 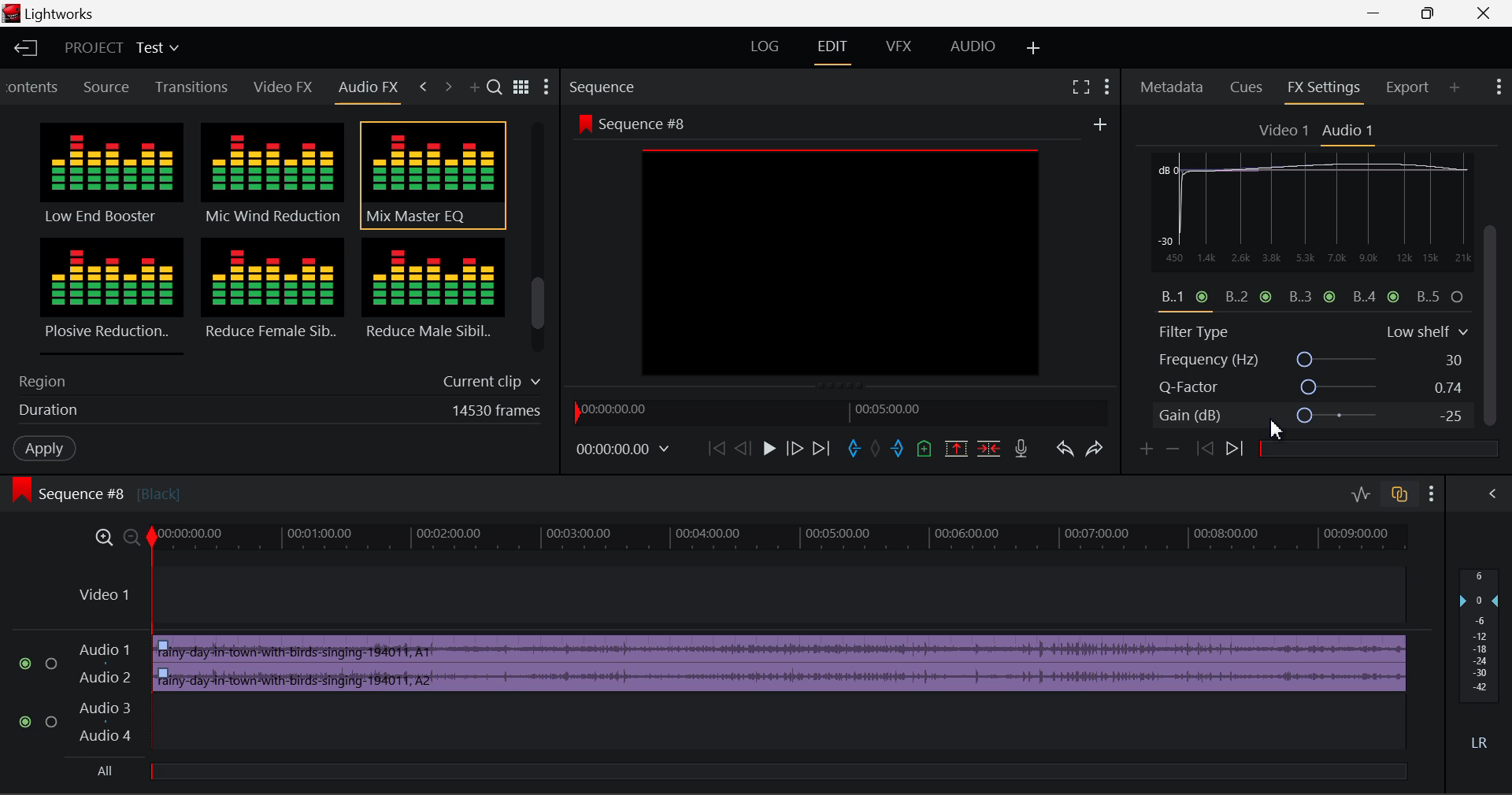 I want to click on Add Panel, so click(x=1455, y=89).